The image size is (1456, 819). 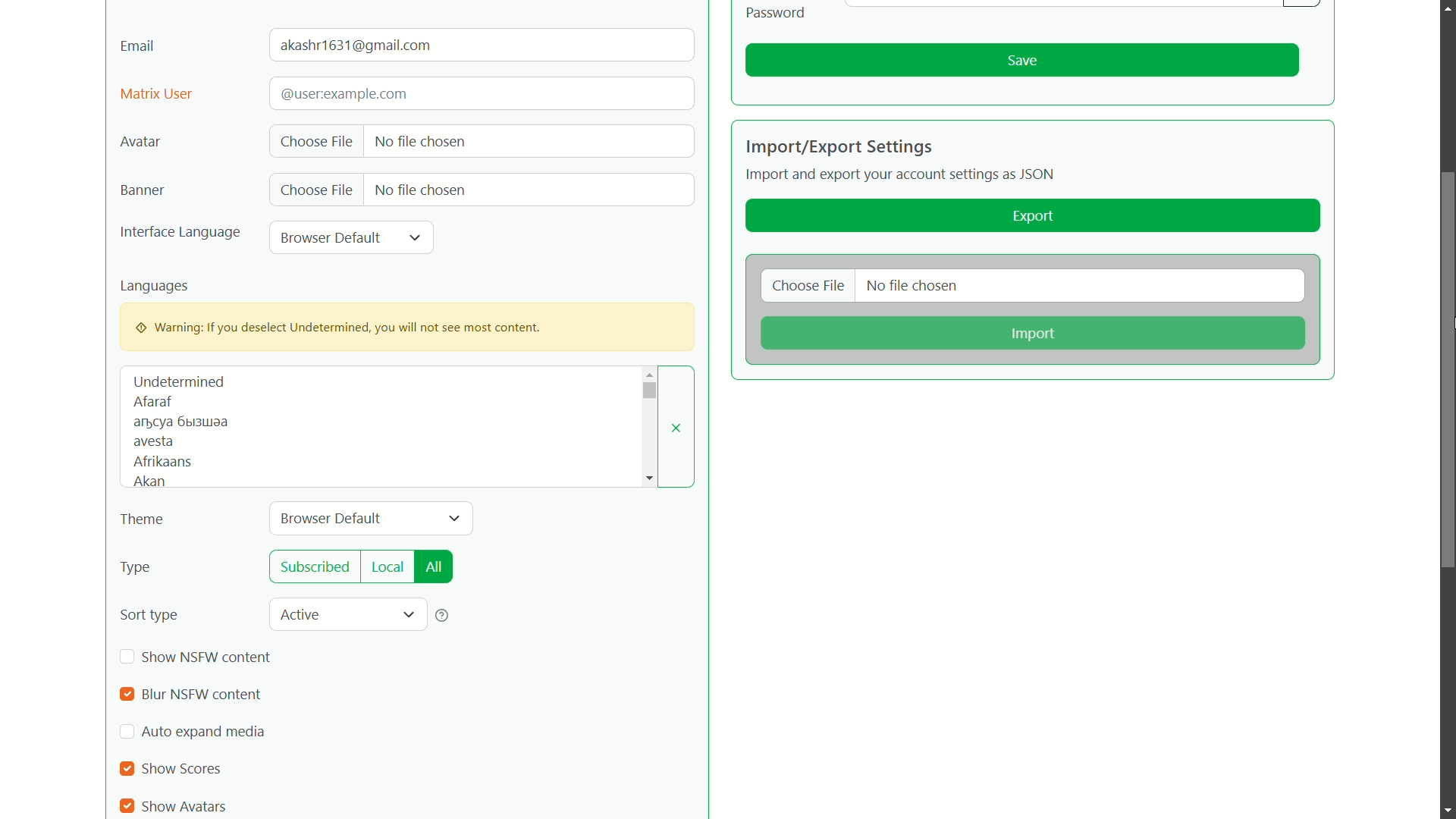 What do you see at coordinates (128, 657) in the screenshot?
I see `checkbox` at bounding box center [128, 657].